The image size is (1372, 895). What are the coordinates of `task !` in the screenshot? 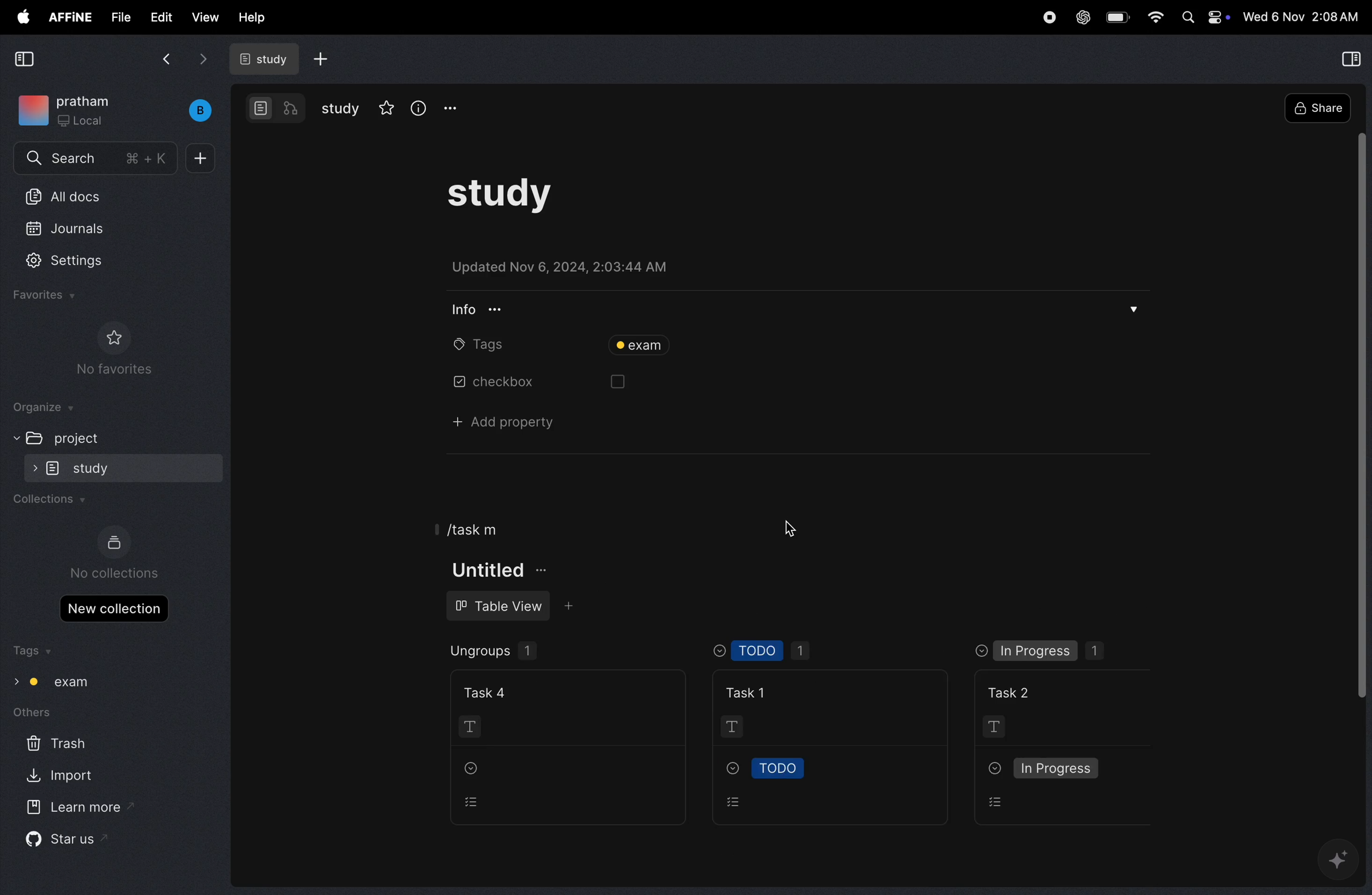 It's located at (748, 690).